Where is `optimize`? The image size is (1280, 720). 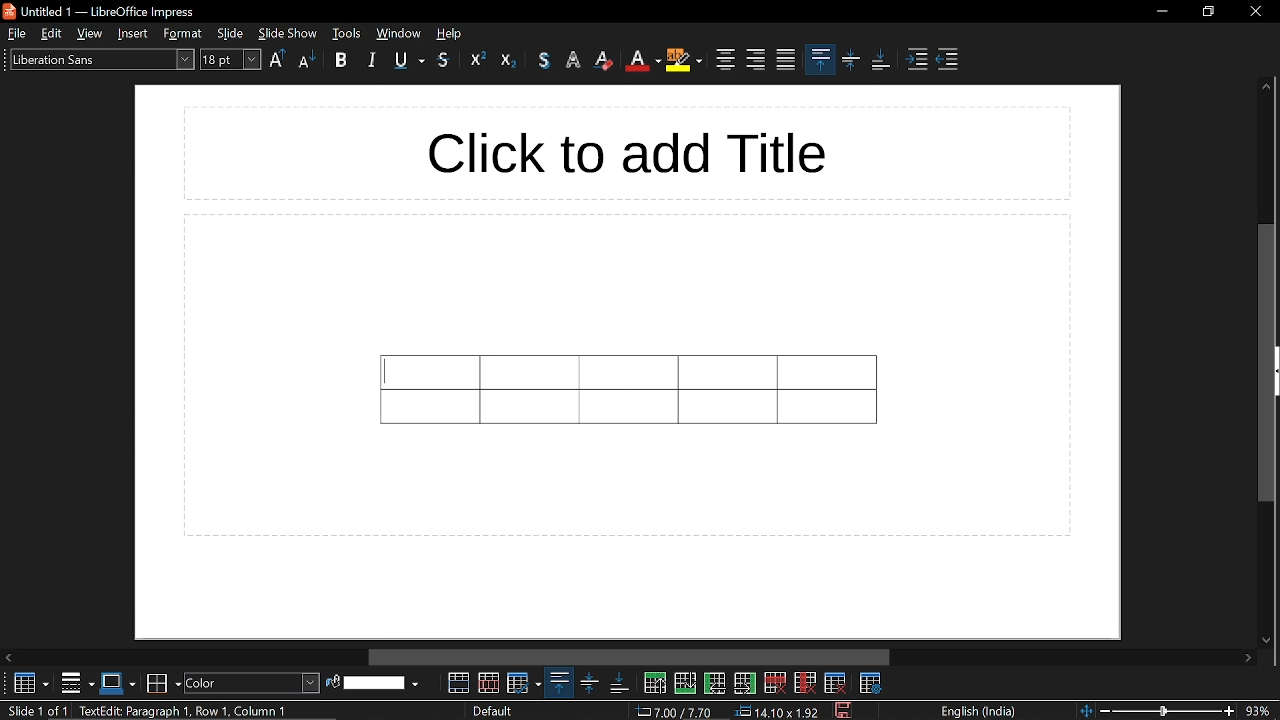
optimize is located at coordinates (525, 682).